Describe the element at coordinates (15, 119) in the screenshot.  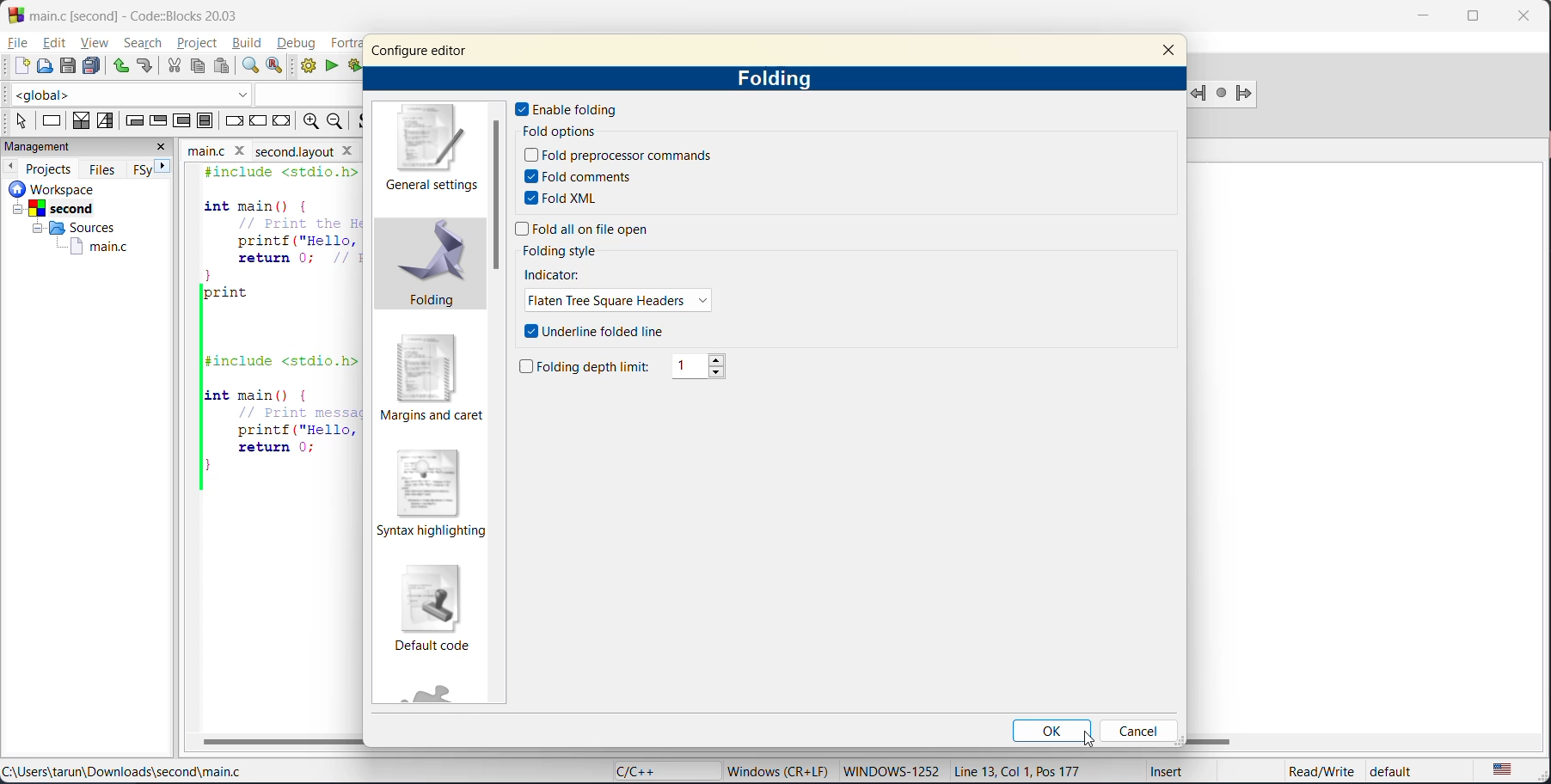
I see `select` at that location.